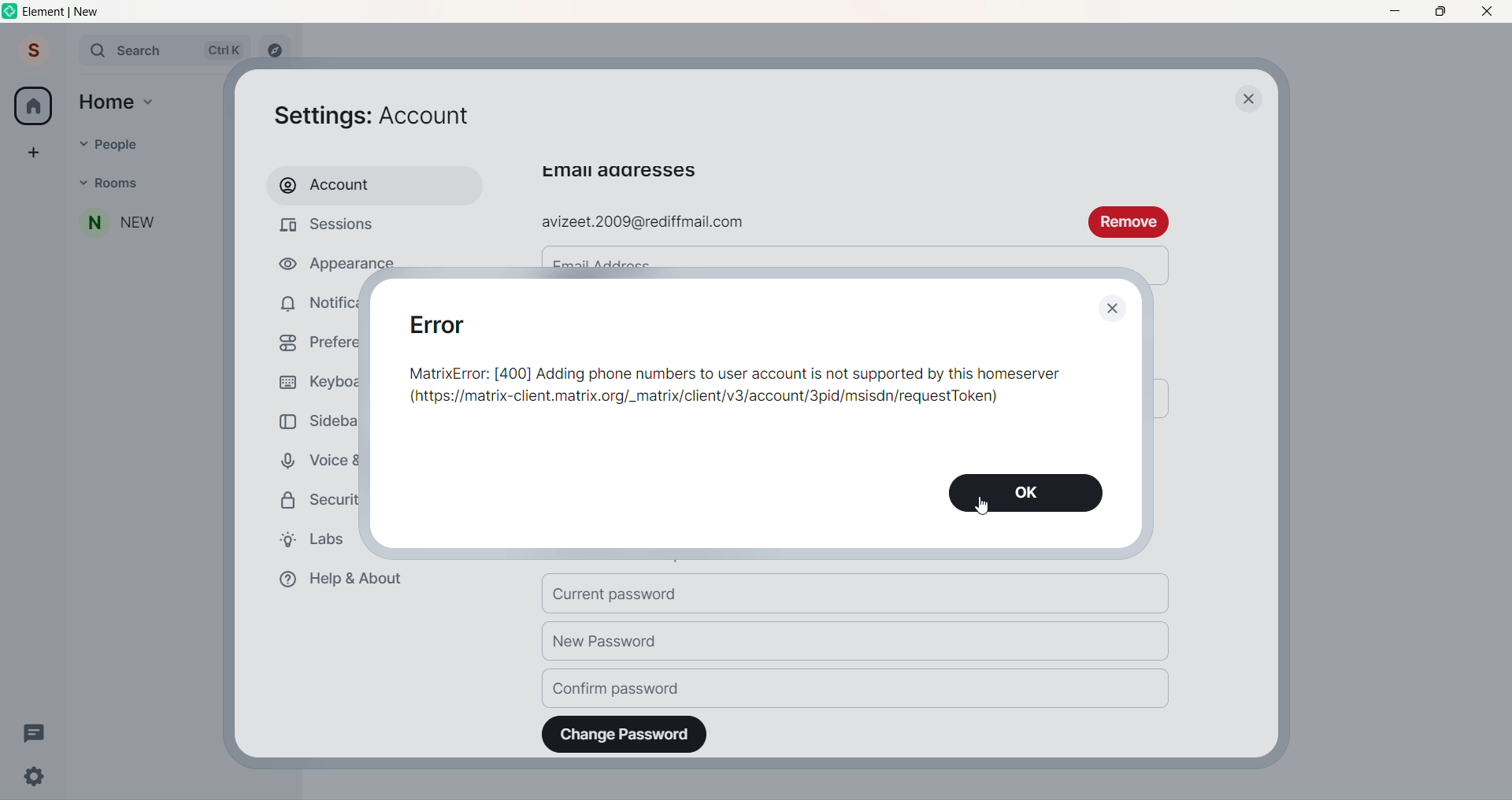 The width and height of the screenshot is (1512, 800). I want to click on remove, so click(1129, 220).